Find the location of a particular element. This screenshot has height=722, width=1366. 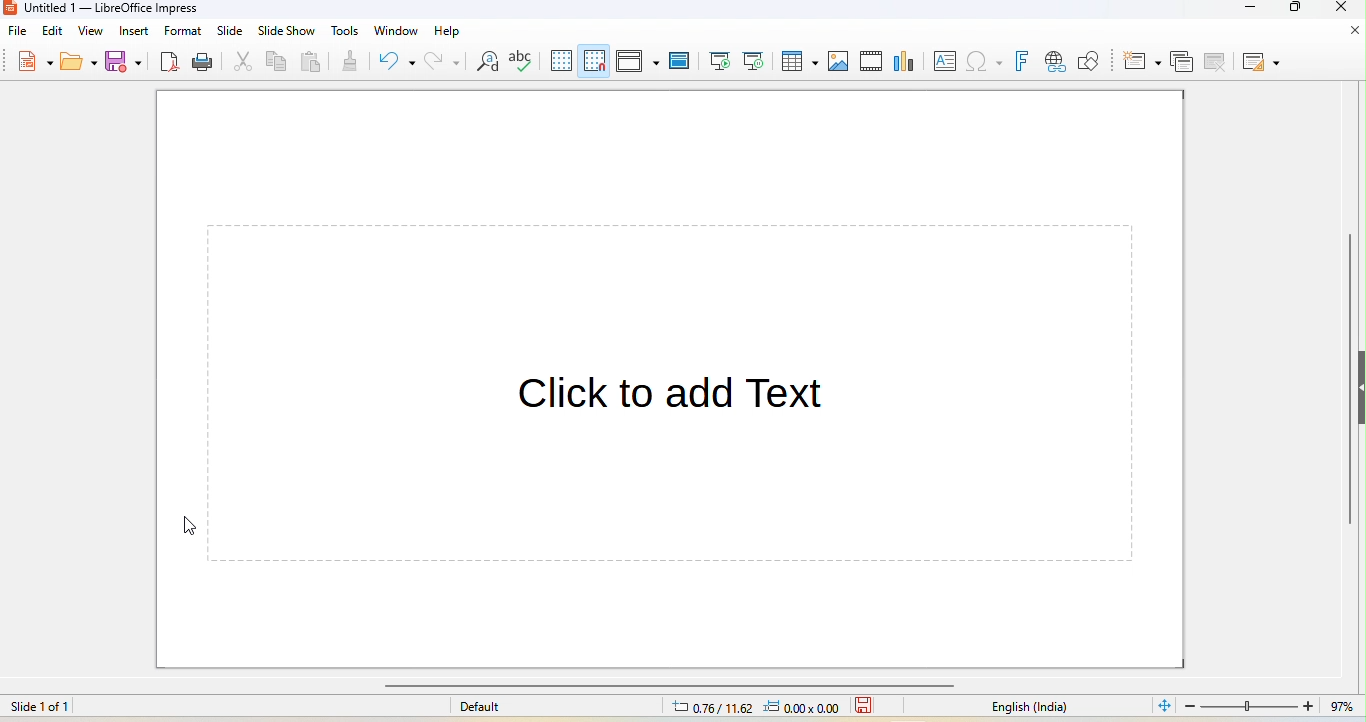

Libreoffice Logo is located at coordinates (10, 10).